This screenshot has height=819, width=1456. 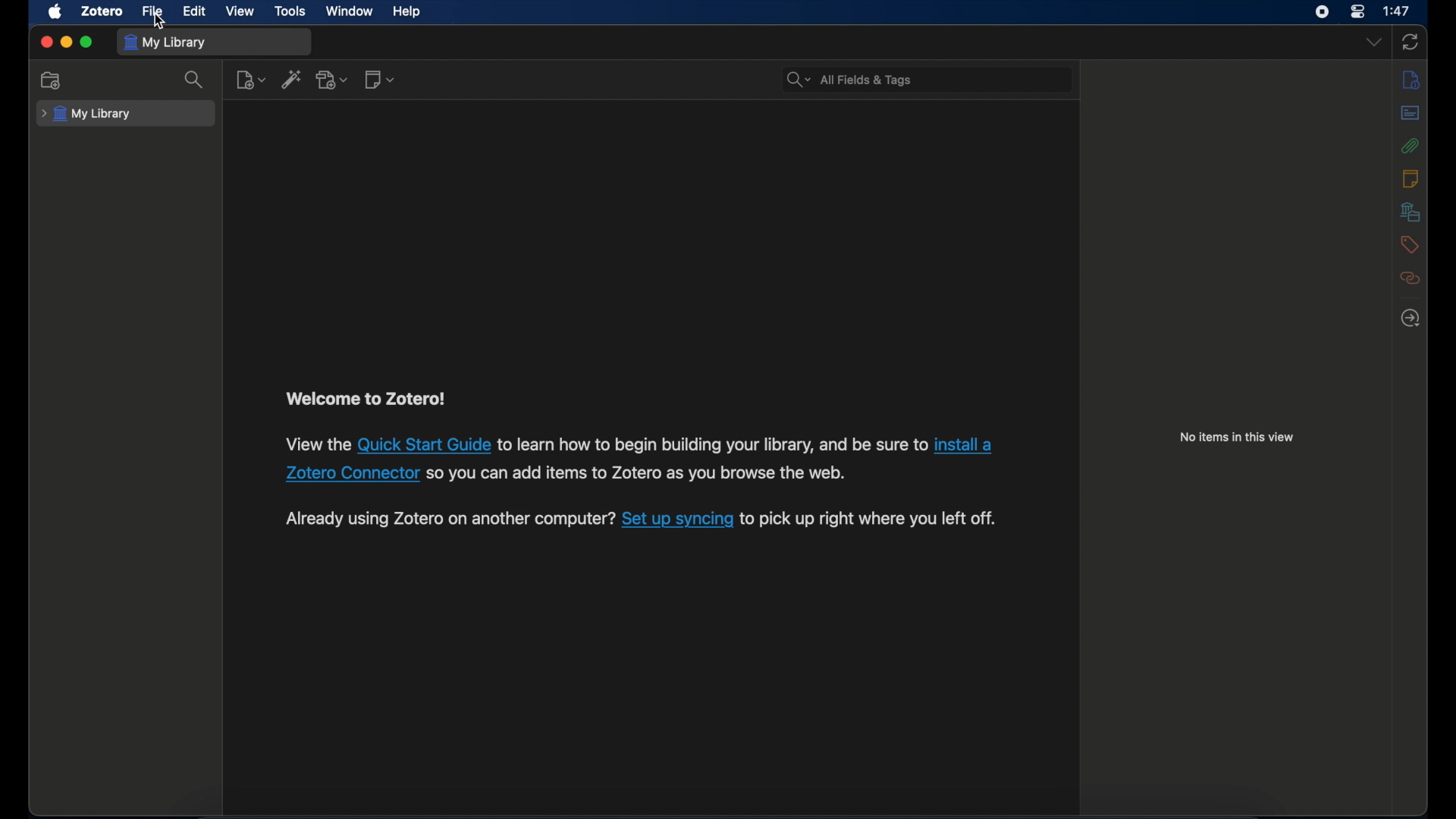 What do you see at coordinates (1410, 278) in the screenshot?
I see `related` at bounding box center [1410, 278].